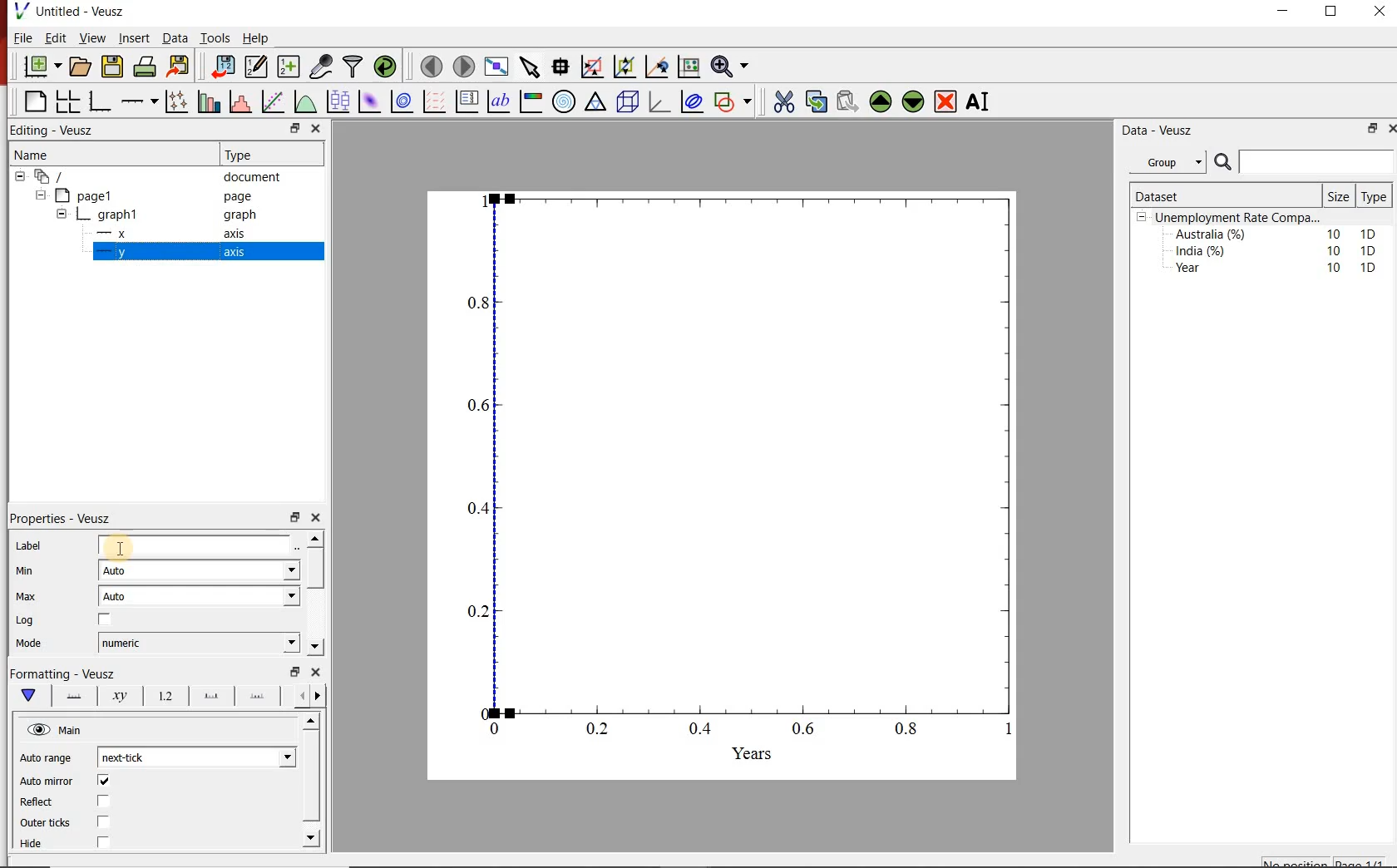  Describe the element at coordinates (733, 101) in the screenshot. I see `add a shapes` at that location.